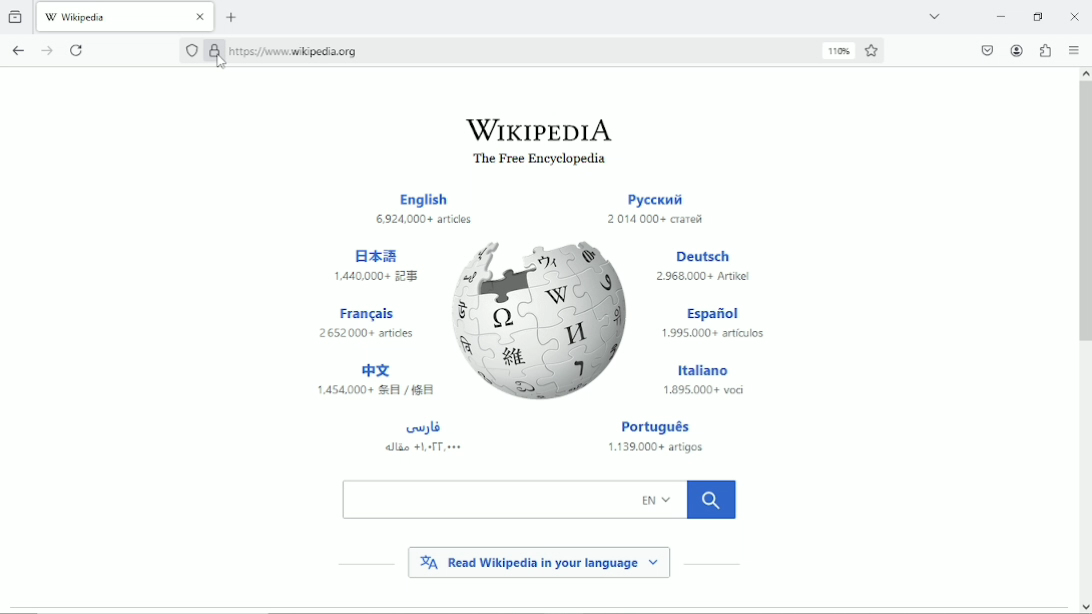 Image resolution: width=1092 pixels, height=614 pixels. I want to click on “The Free Encyclopedia, so click(535, 160).